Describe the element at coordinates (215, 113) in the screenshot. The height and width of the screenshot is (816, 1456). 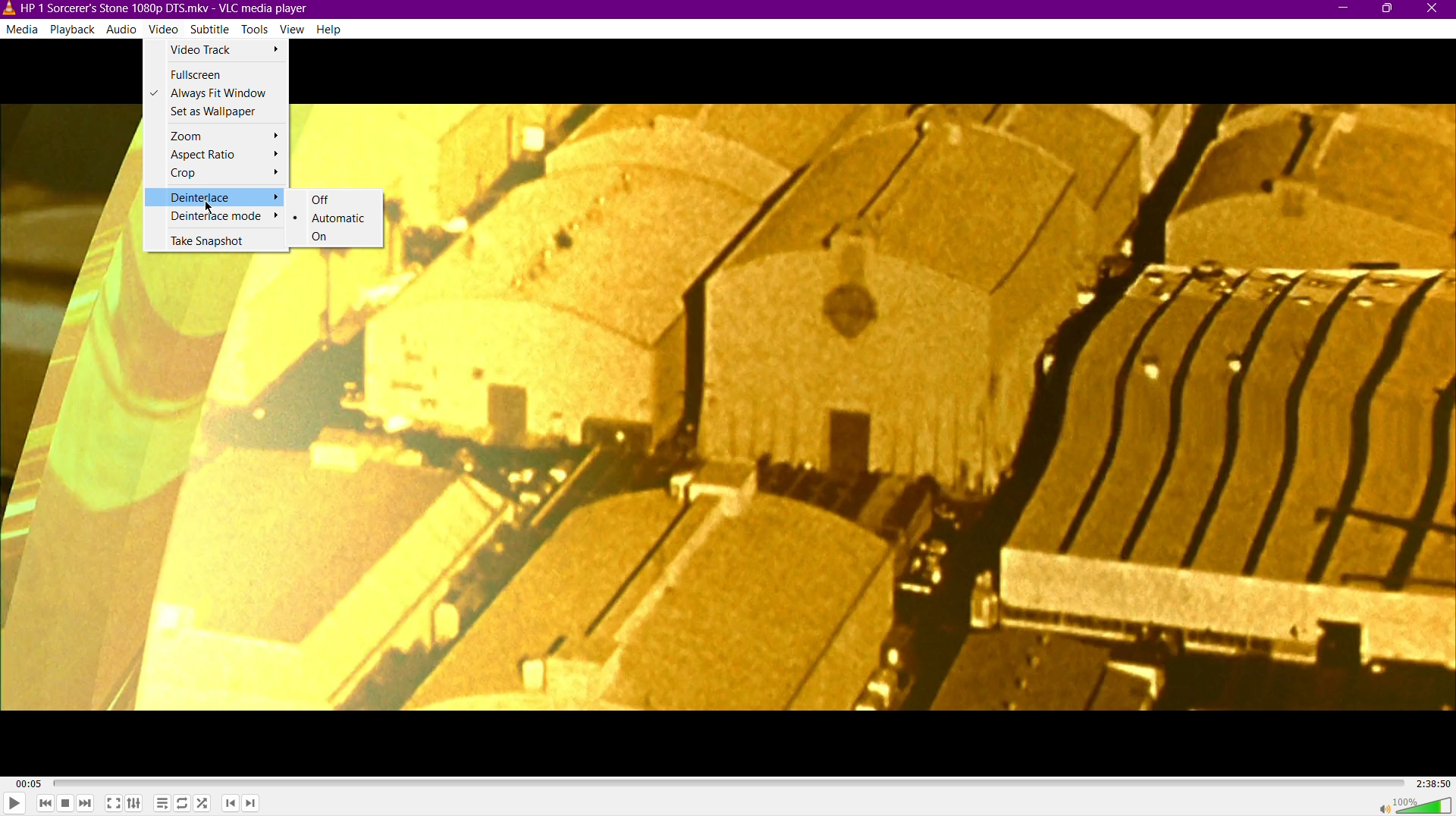
I see `Set as Wallpaper` at that location.